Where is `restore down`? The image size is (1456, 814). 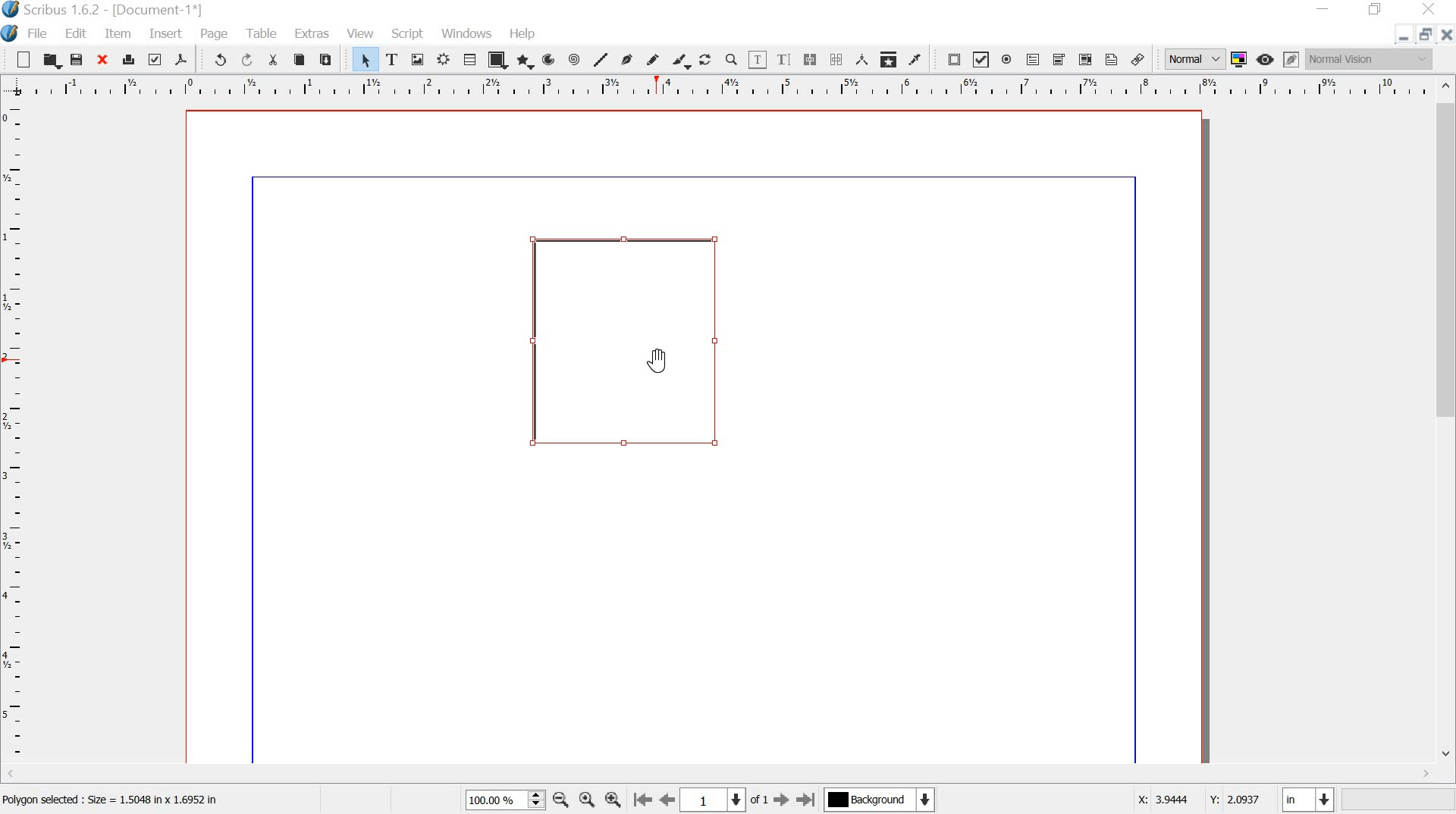
restore down is located at coordinates (1425, 34).